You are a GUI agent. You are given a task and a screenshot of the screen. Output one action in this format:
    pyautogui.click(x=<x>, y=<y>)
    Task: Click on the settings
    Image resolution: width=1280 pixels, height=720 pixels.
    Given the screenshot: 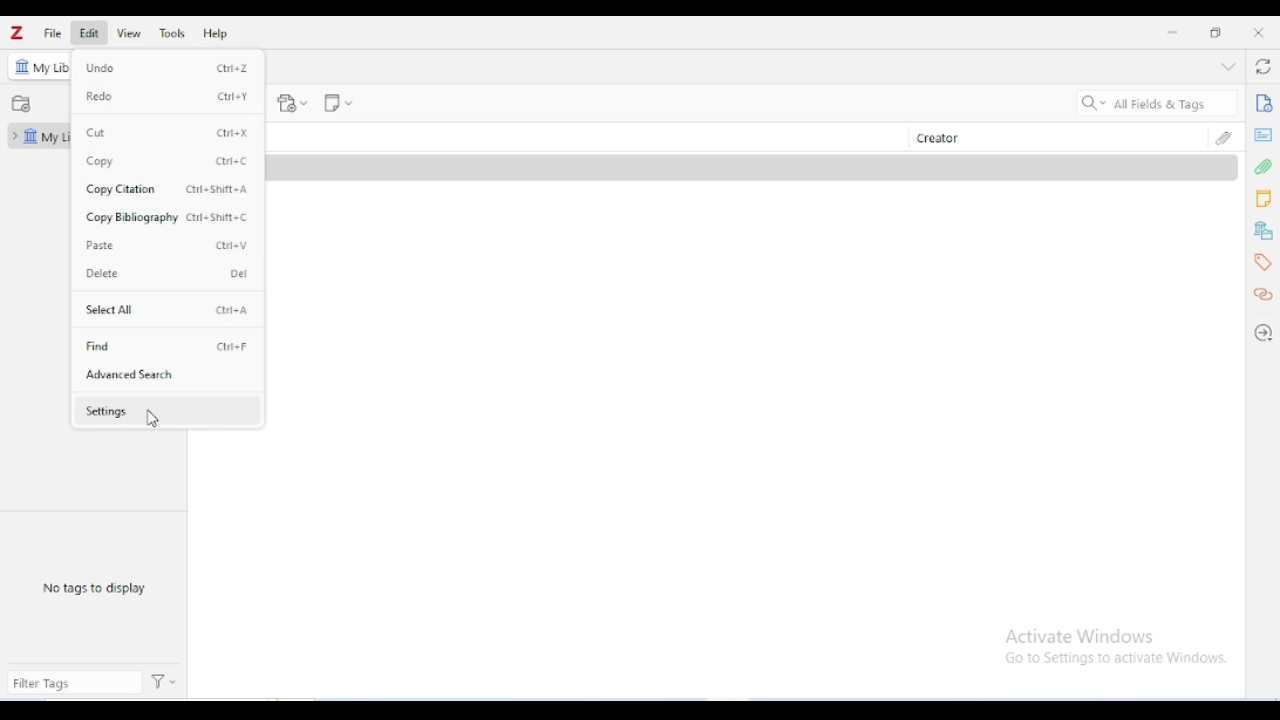 What is the action you would take?
    pyautogui.click(x=106, y=412)
    